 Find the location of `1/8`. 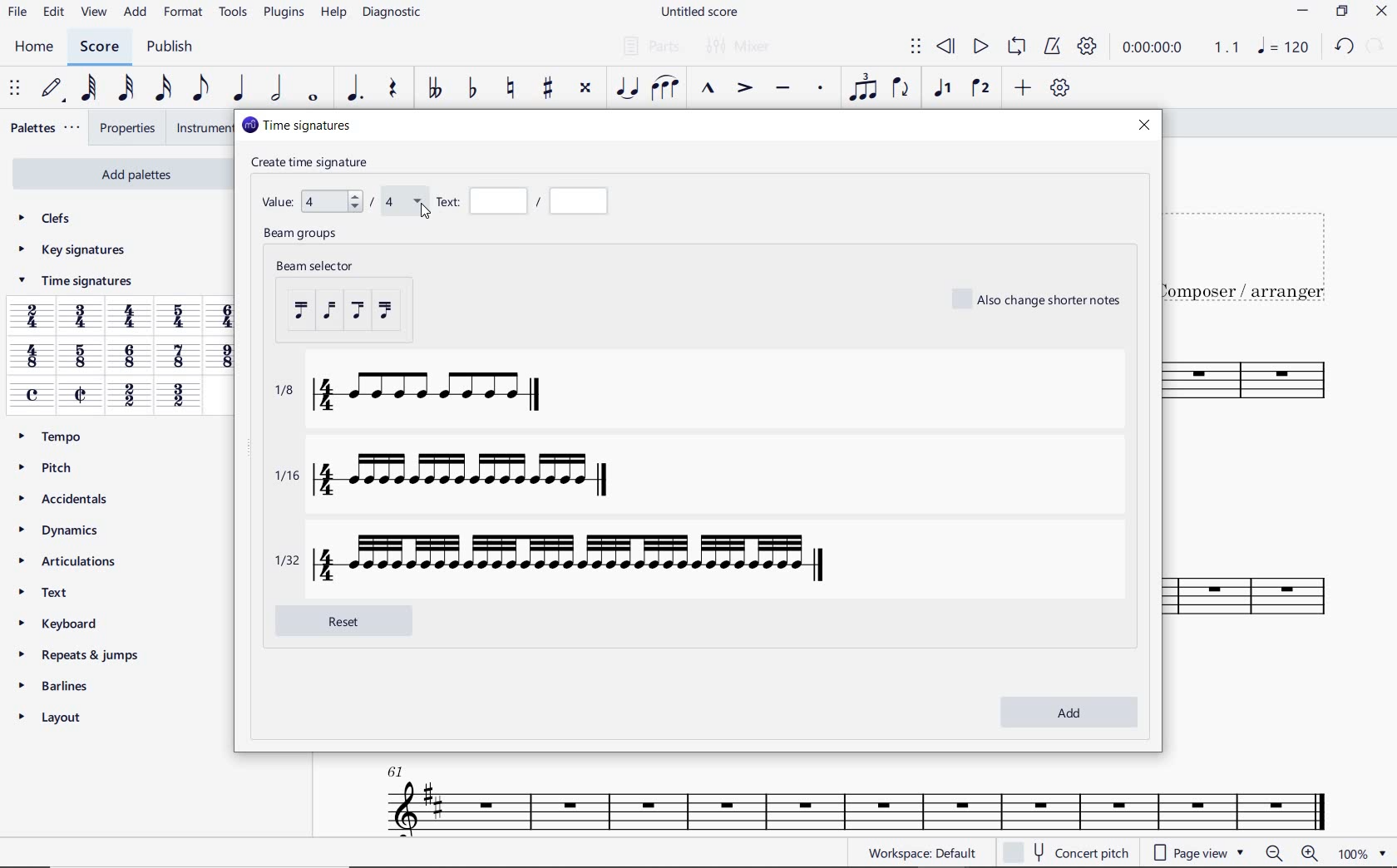

1/8 is located at coordinates (429, 395).